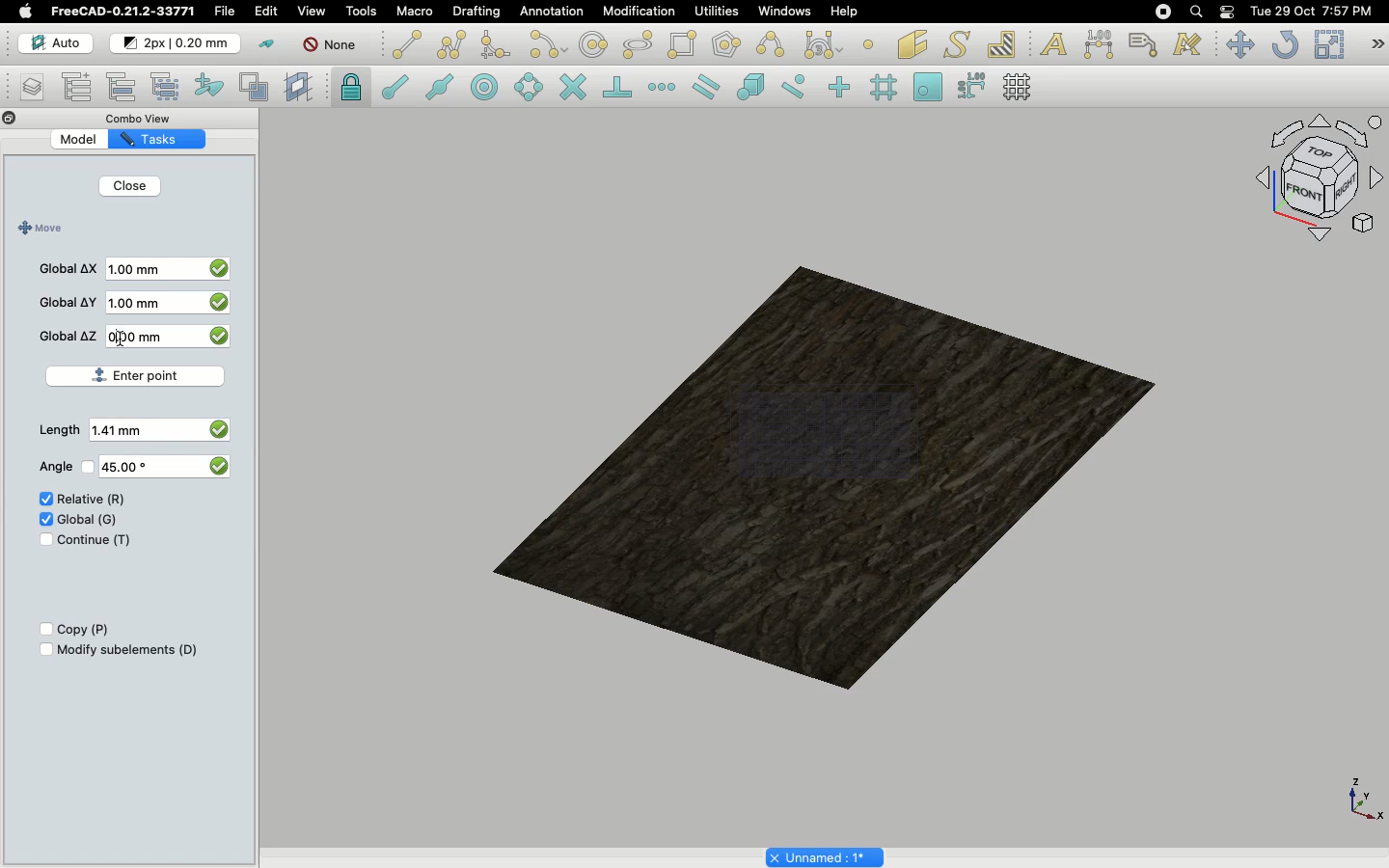 The width and height of the screenshot is (1389, 868). I want to click on Search, so click(1195, 12).